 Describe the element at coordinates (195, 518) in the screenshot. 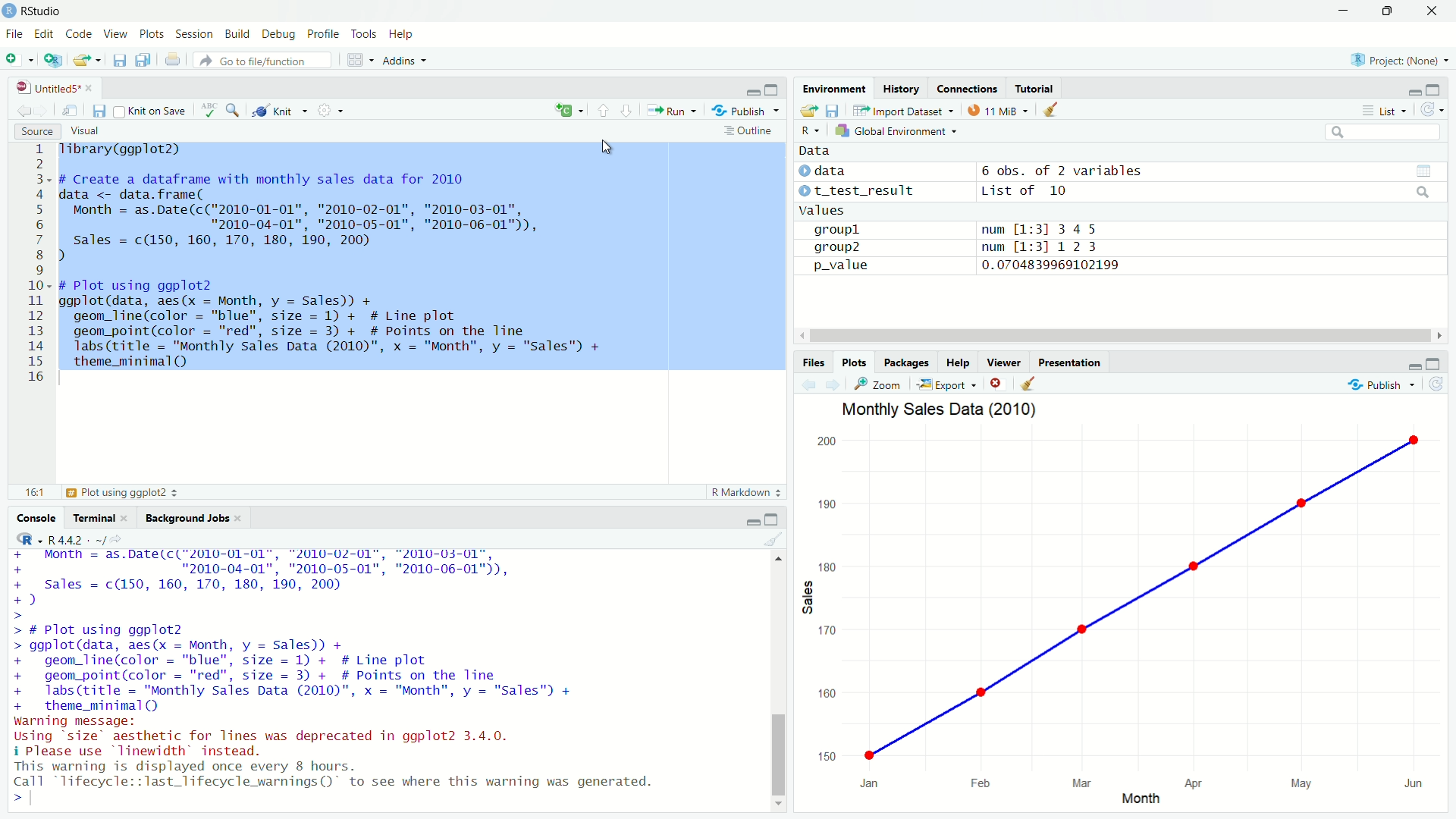

I see `Background Jobs` at that location.